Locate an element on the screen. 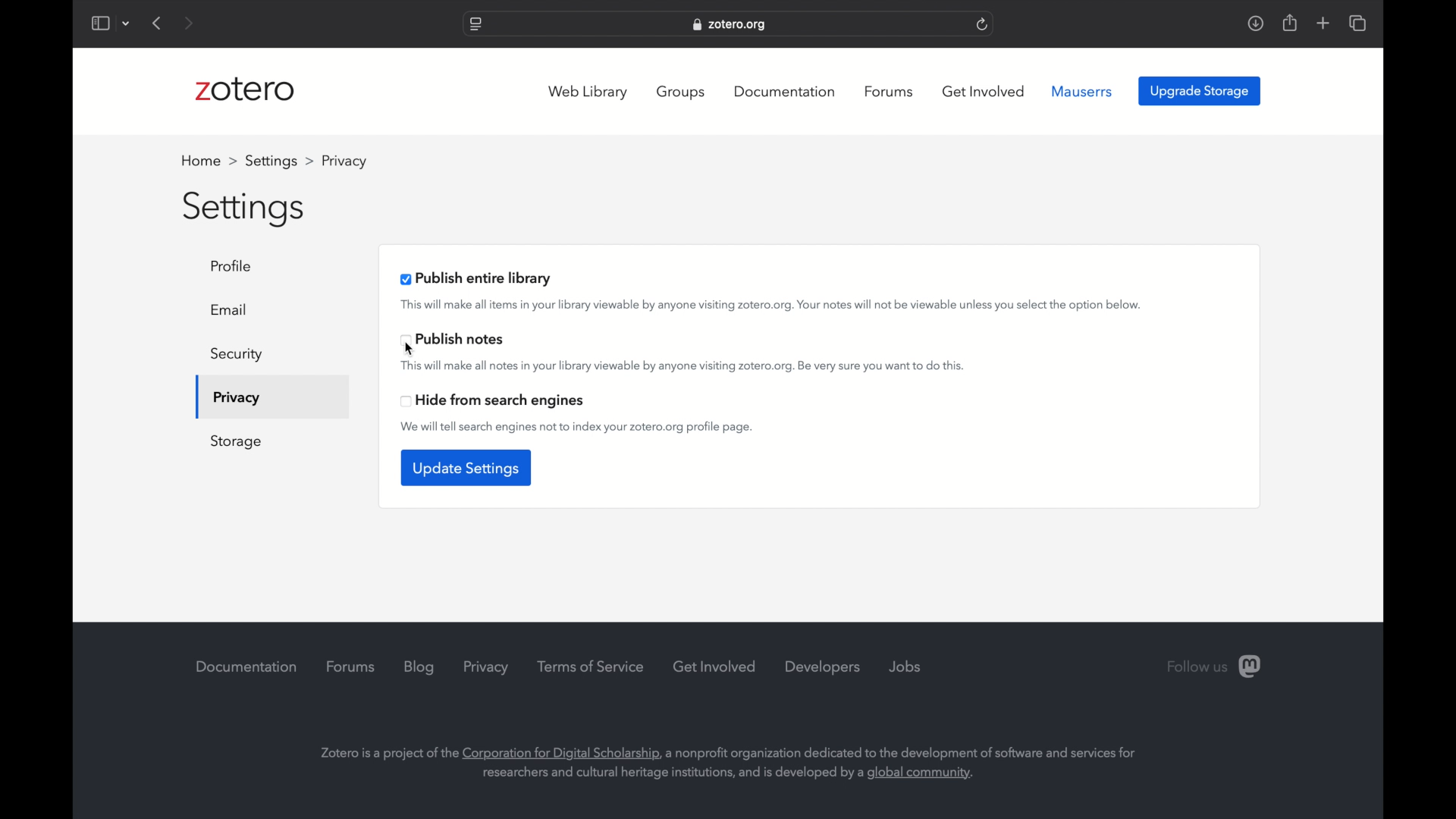 Image resolution: width=1456 pixels, height=819 pixels. next is located at coordinates (187, 23).